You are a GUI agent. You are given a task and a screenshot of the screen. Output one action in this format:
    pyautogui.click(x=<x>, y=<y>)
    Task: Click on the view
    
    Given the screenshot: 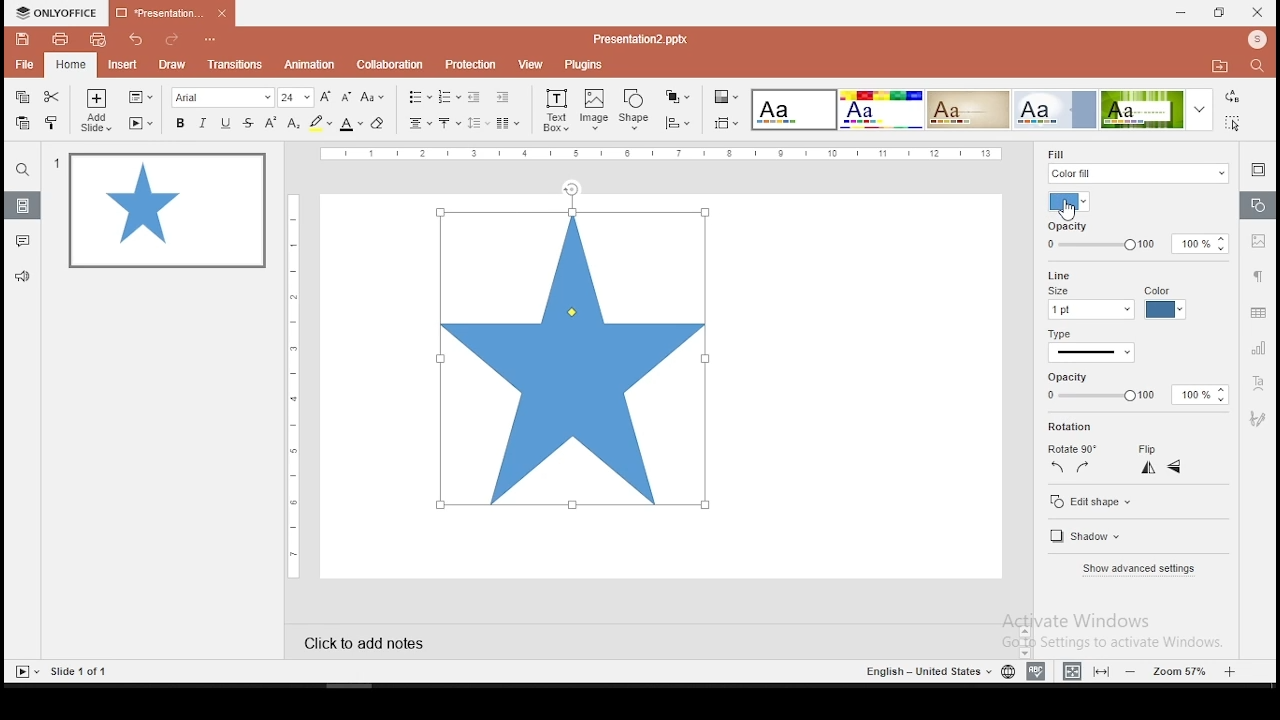 What is the action you would take?
    pyautogui.click(x=528, y=65)
    